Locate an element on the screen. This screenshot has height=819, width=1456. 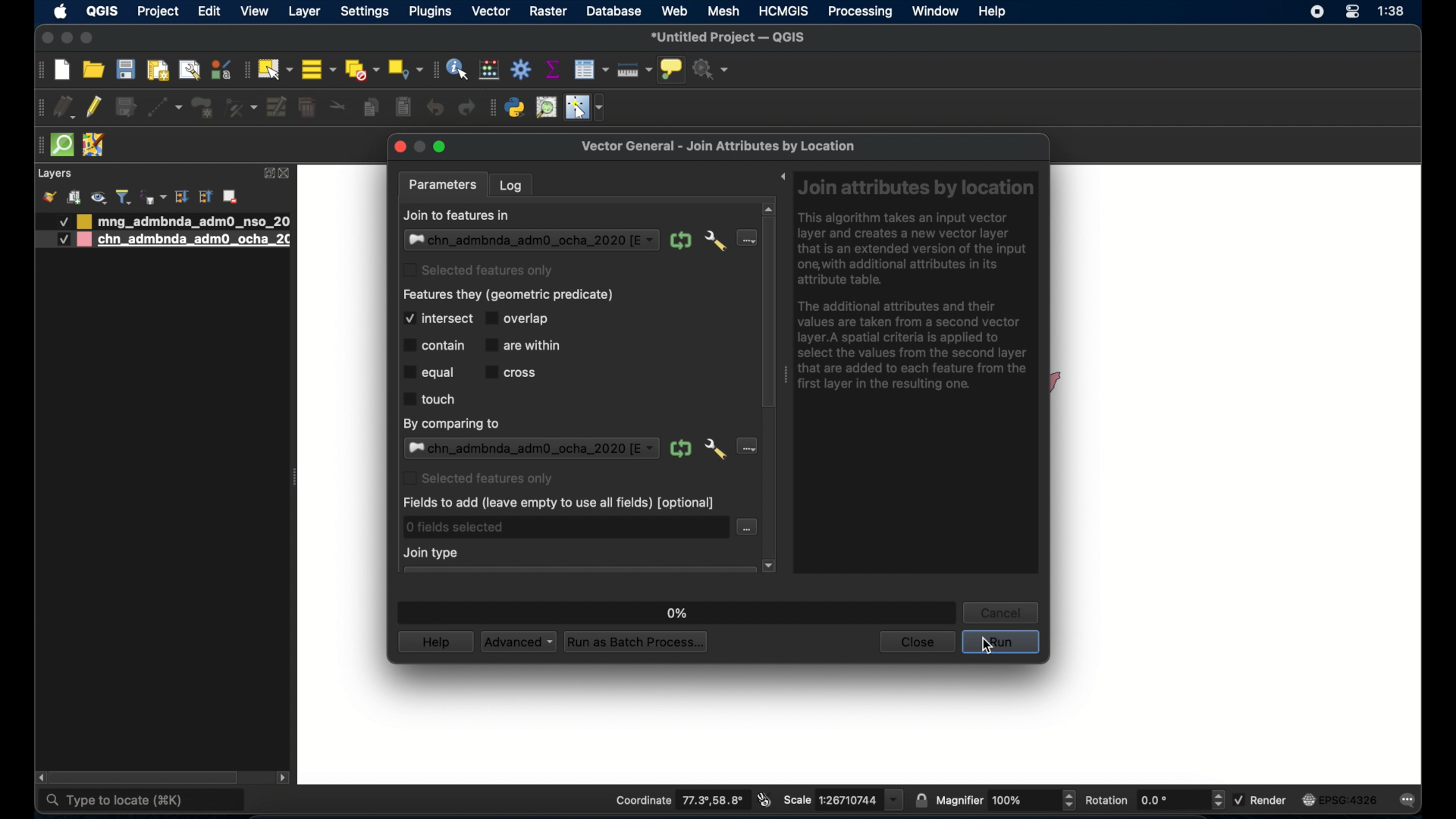
identify feature is located at coordinates (457, 69).